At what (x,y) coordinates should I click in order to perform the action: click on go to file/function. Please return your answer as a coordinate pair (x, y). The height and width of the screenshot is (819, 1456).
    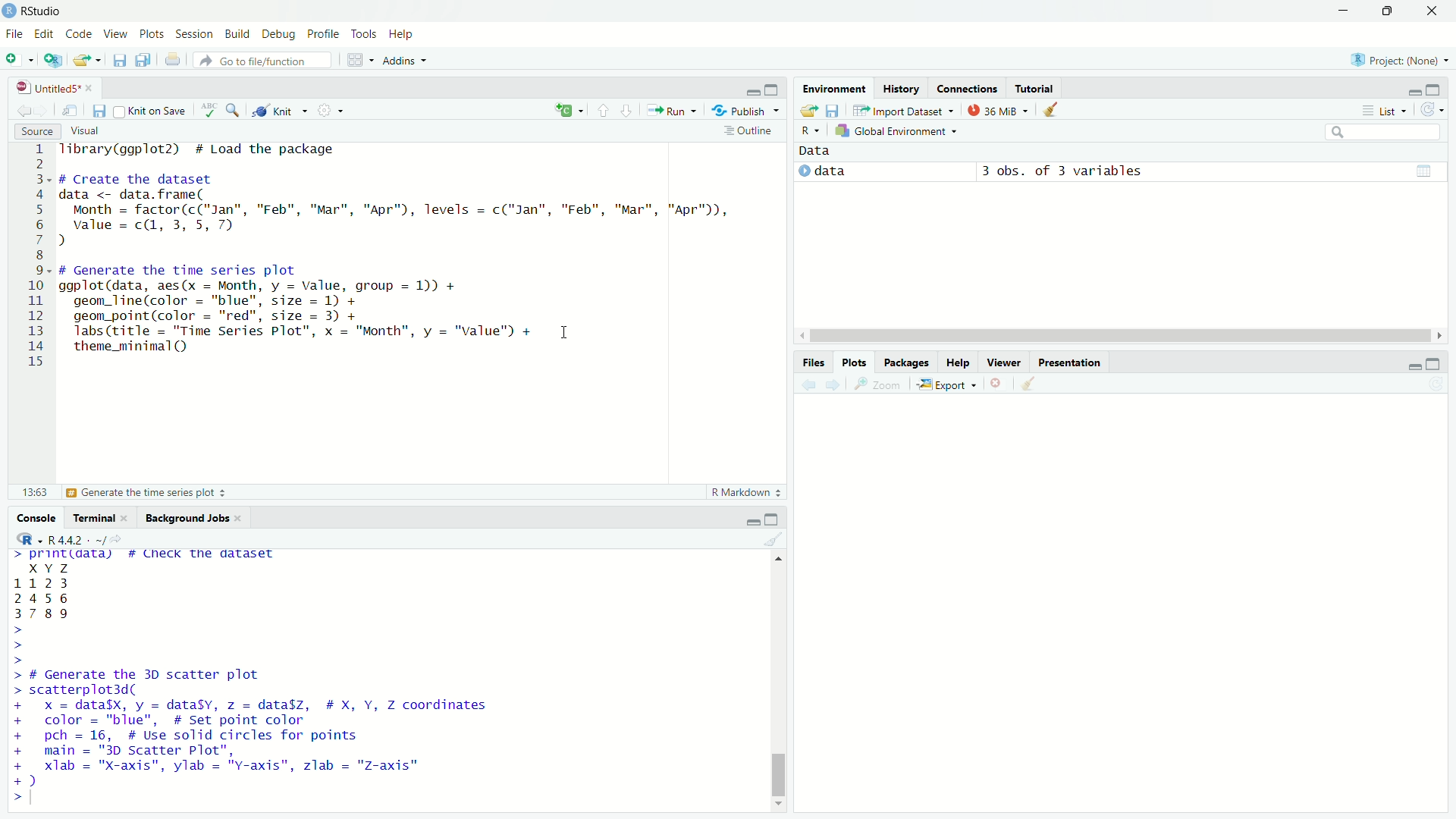
    Looking at the image, I should click on (264, 61).